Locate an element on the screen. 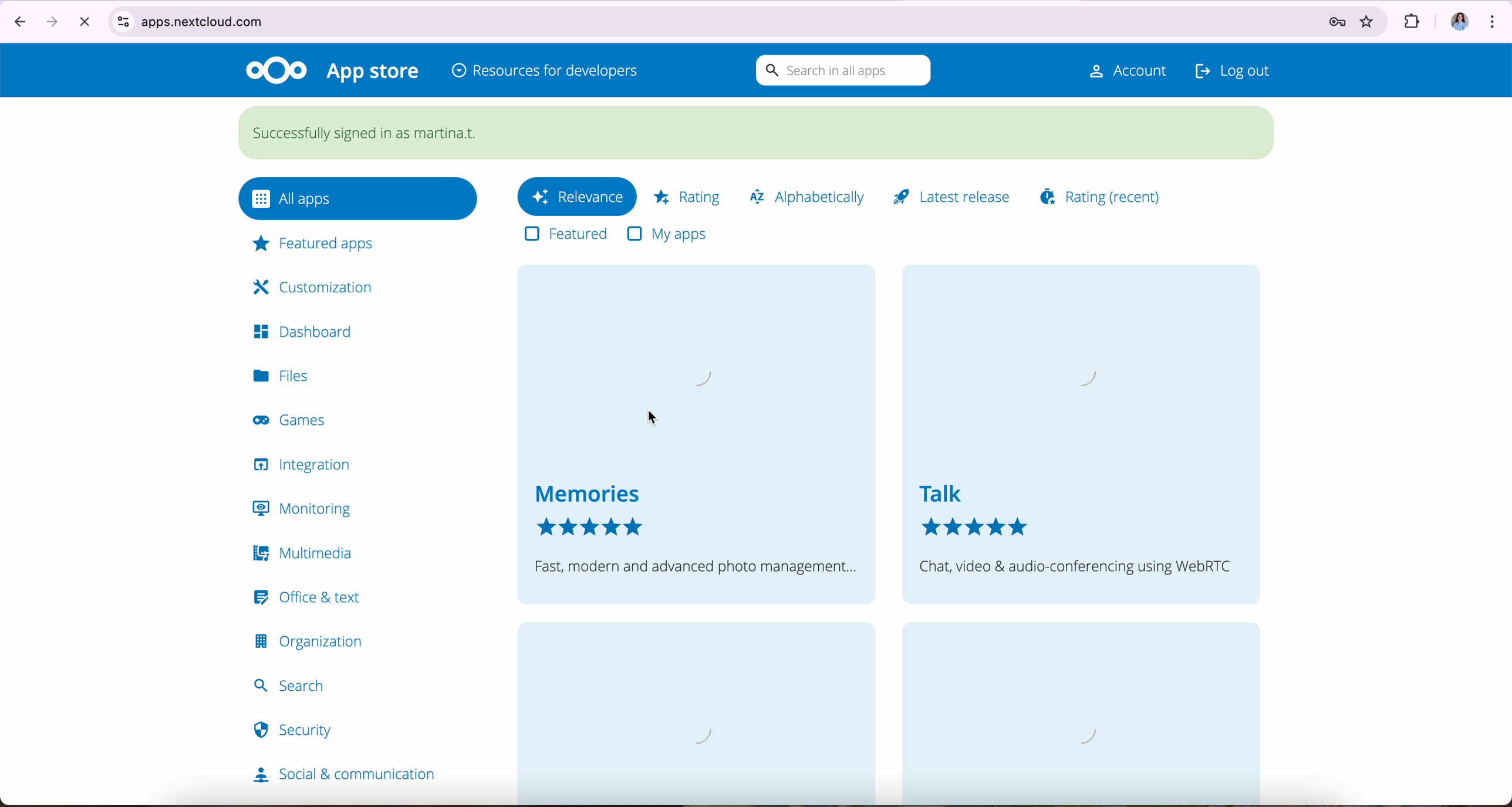 The image size is (1512, 807). appstore is located at coordinates (375, 73).